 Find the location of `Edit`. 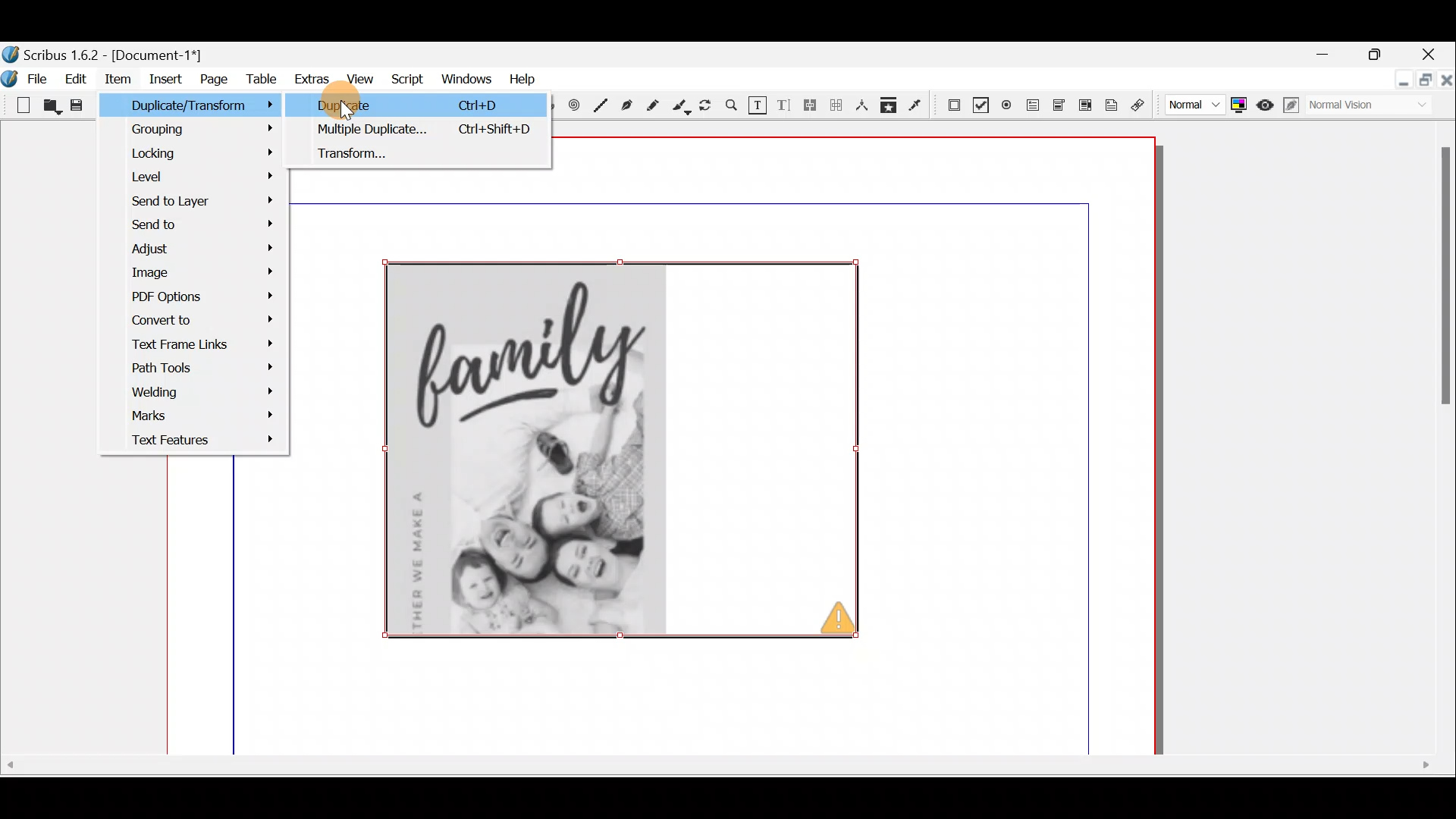

Edit is located at coordinates (75, 81).